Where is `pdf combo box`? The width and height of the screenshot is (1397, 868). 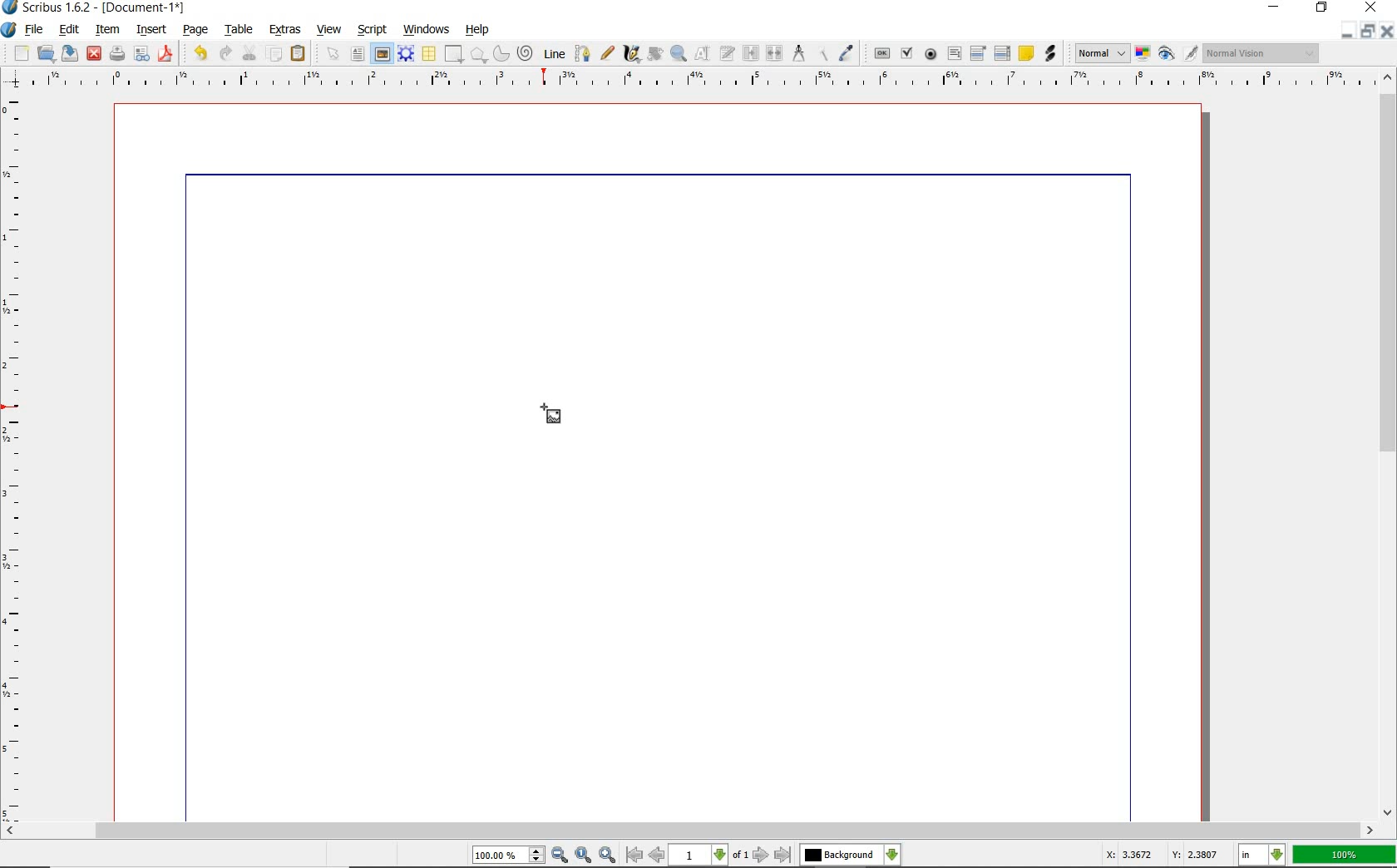 pdf combo box is located at coordinates (979, 53).